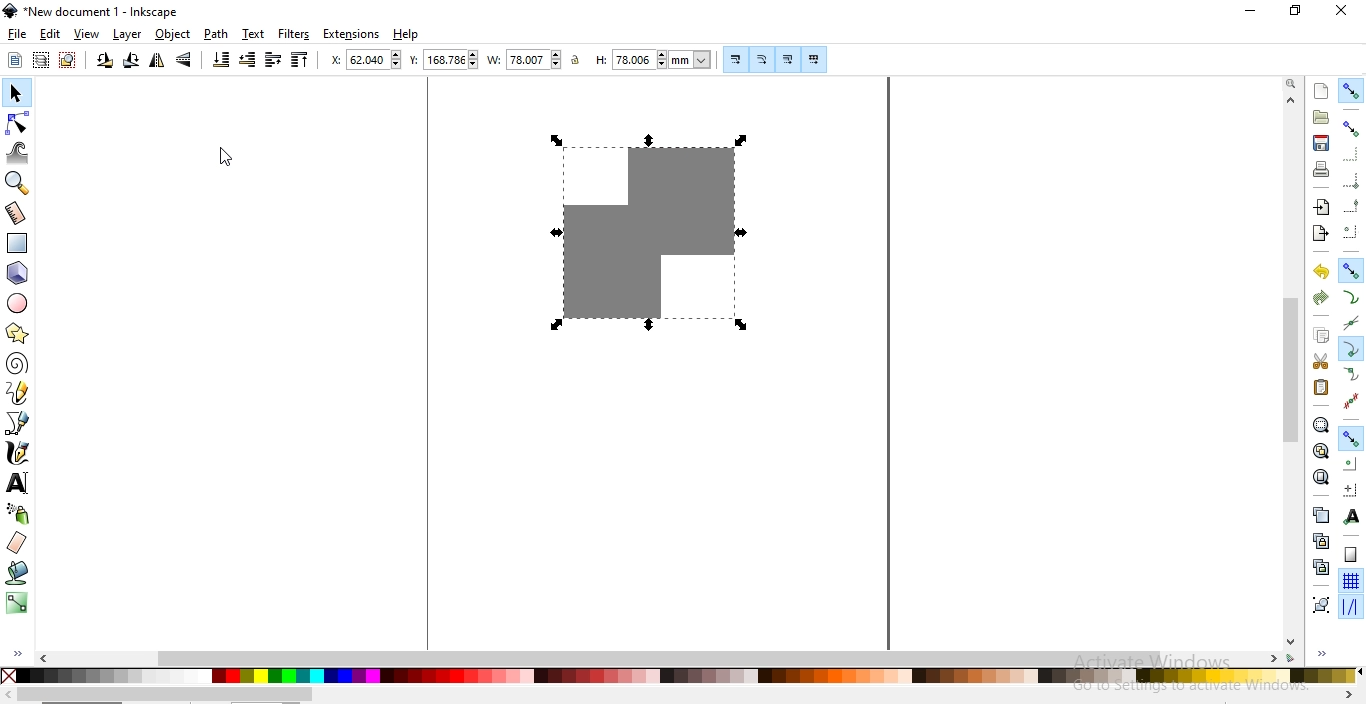  What do you see at coordinates (157, 62) in the screenshot?
I see `flip horizontal` at bounding box center [157, 62].